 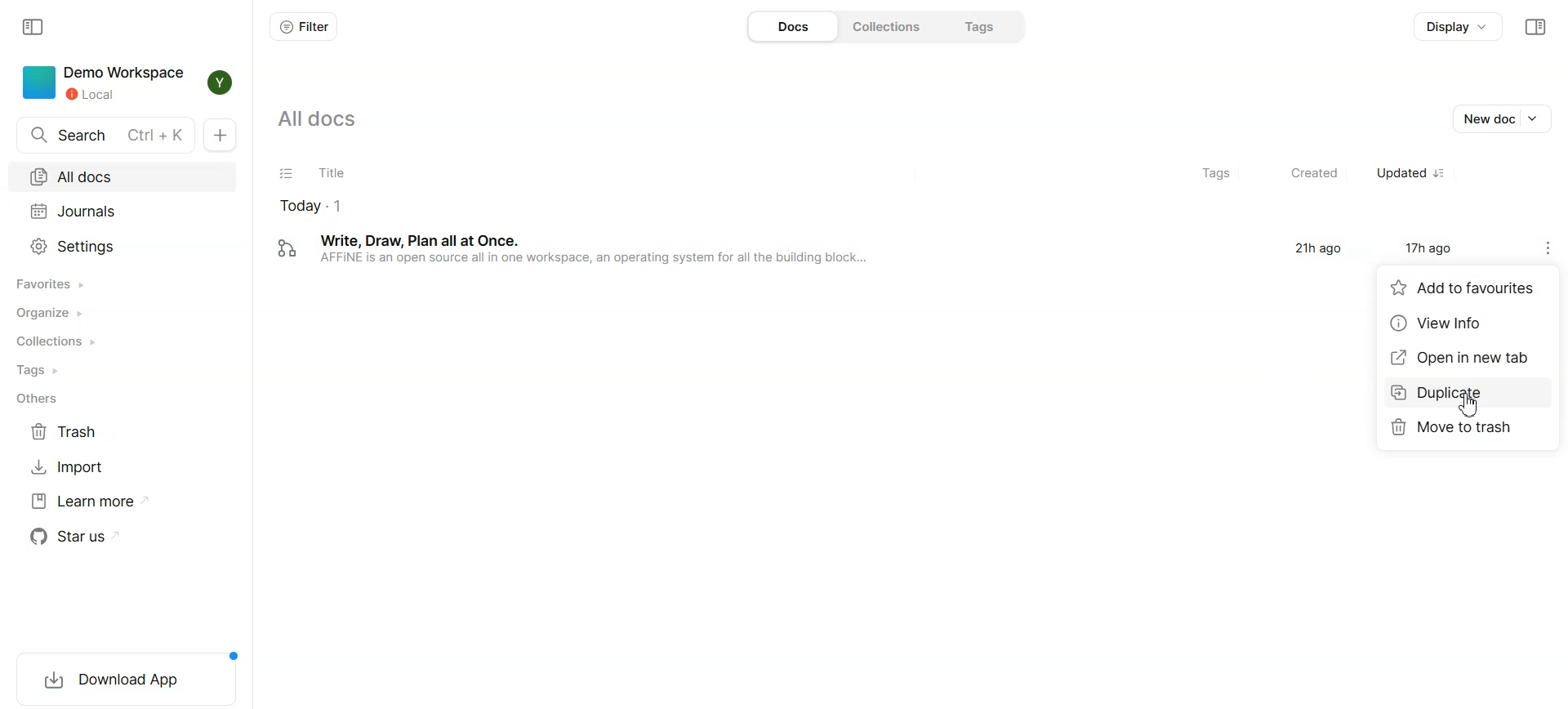 I want to click on Title, so click(x=334, y=173).